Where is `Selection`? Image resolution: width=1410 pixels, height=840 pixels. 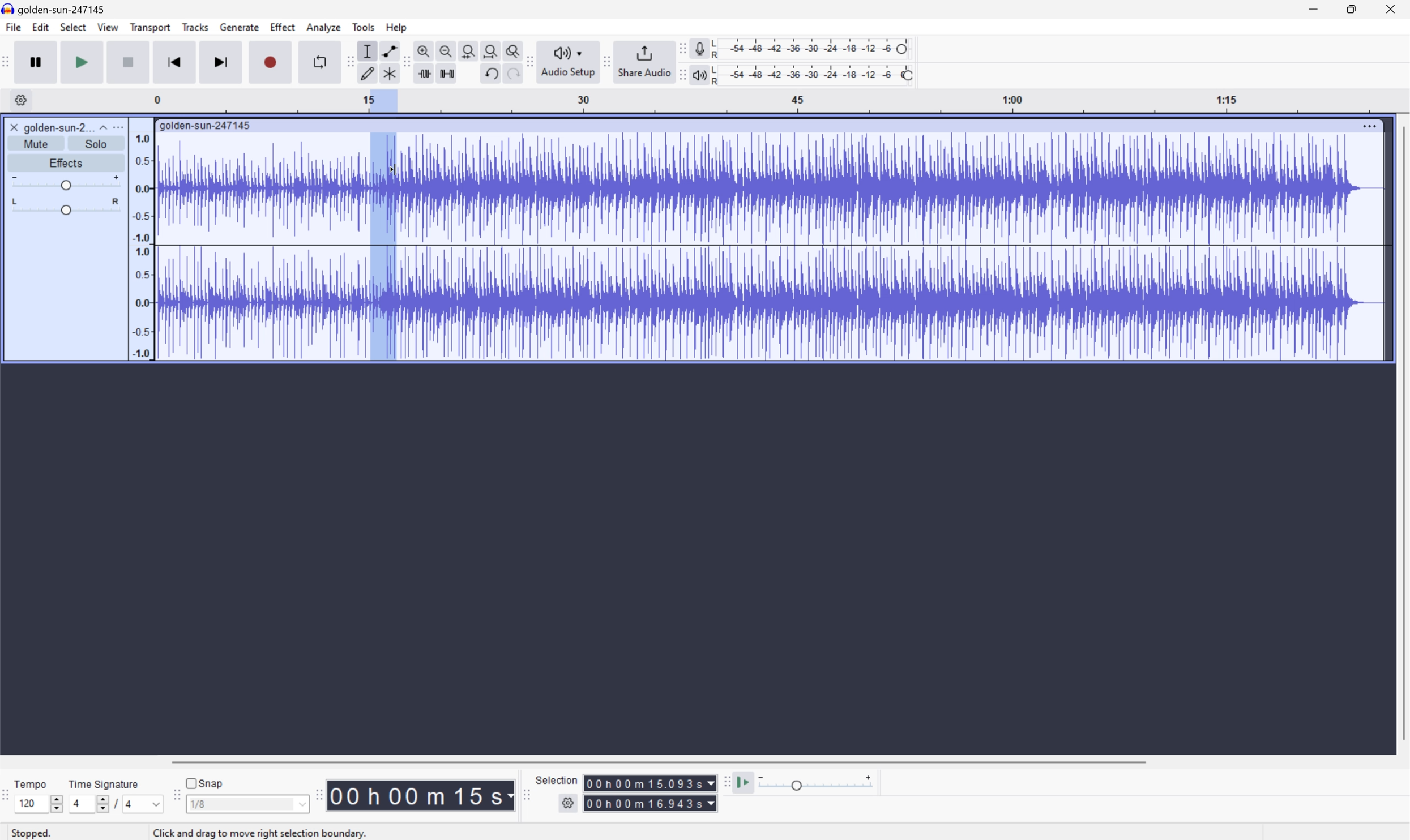 Selection is located at coordinates (651, 793).